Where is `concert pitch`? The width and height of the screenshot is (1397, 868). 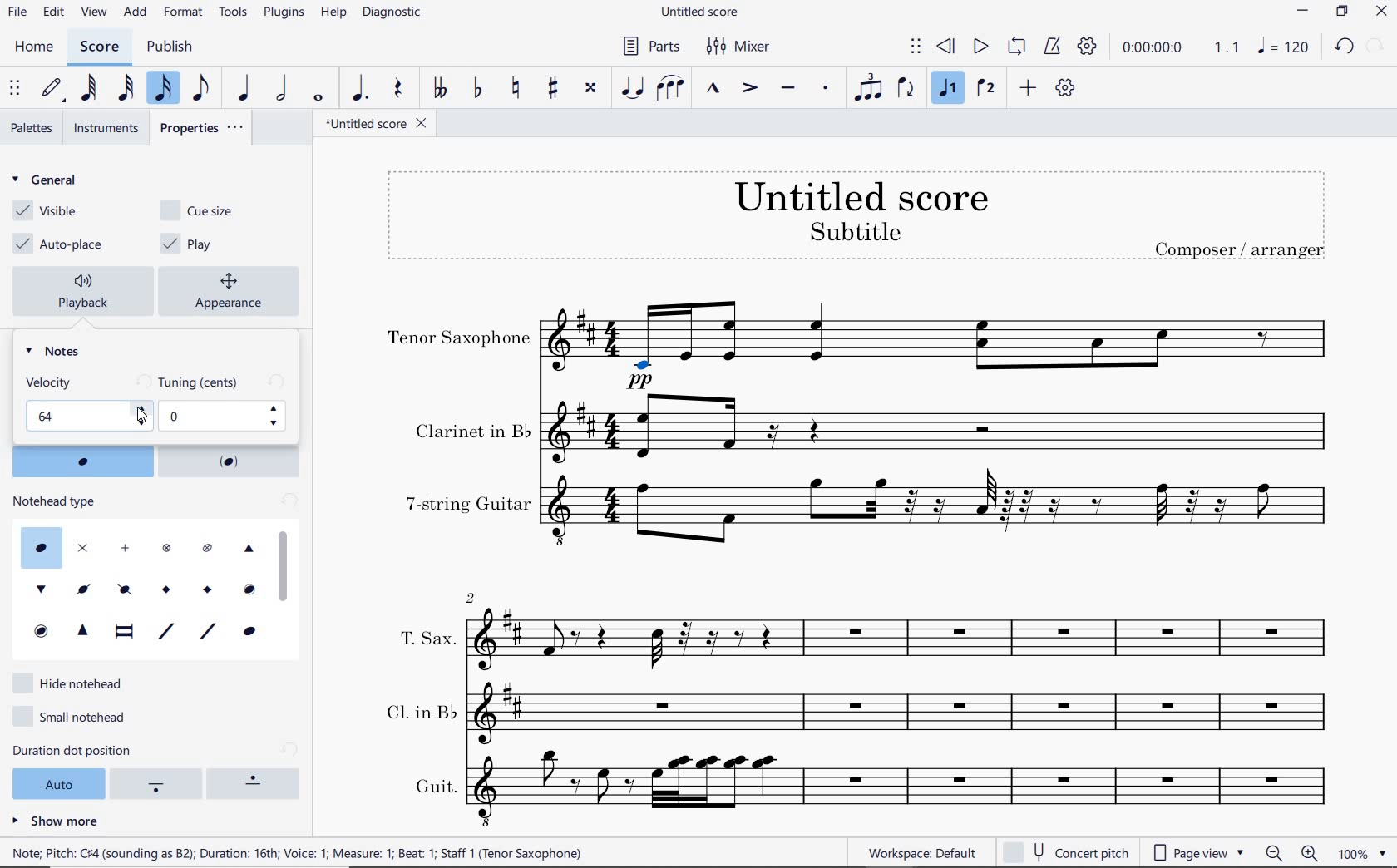 concert pitch is located at coordinates (1065, 850).